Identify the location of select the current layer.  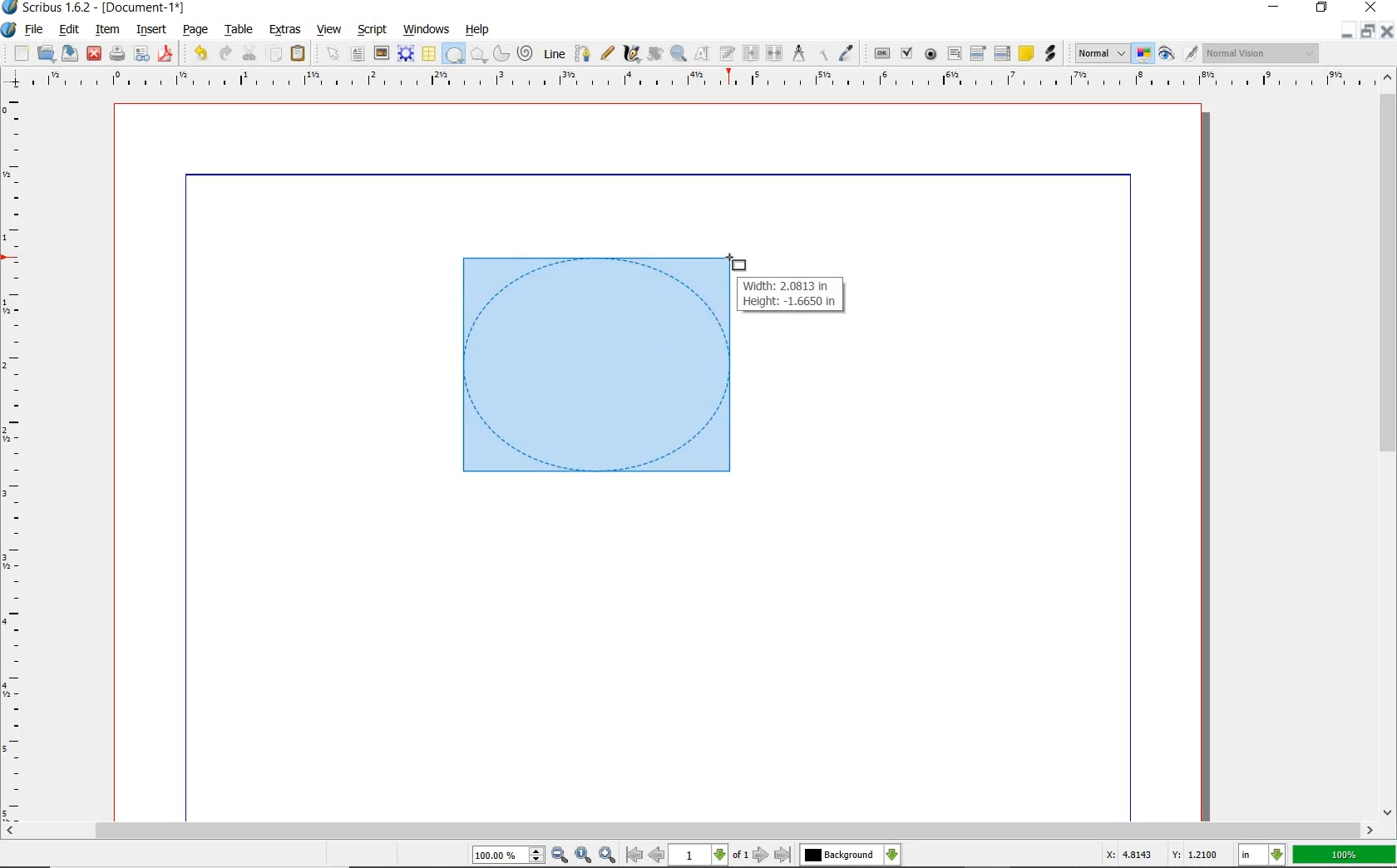
(892, 855).